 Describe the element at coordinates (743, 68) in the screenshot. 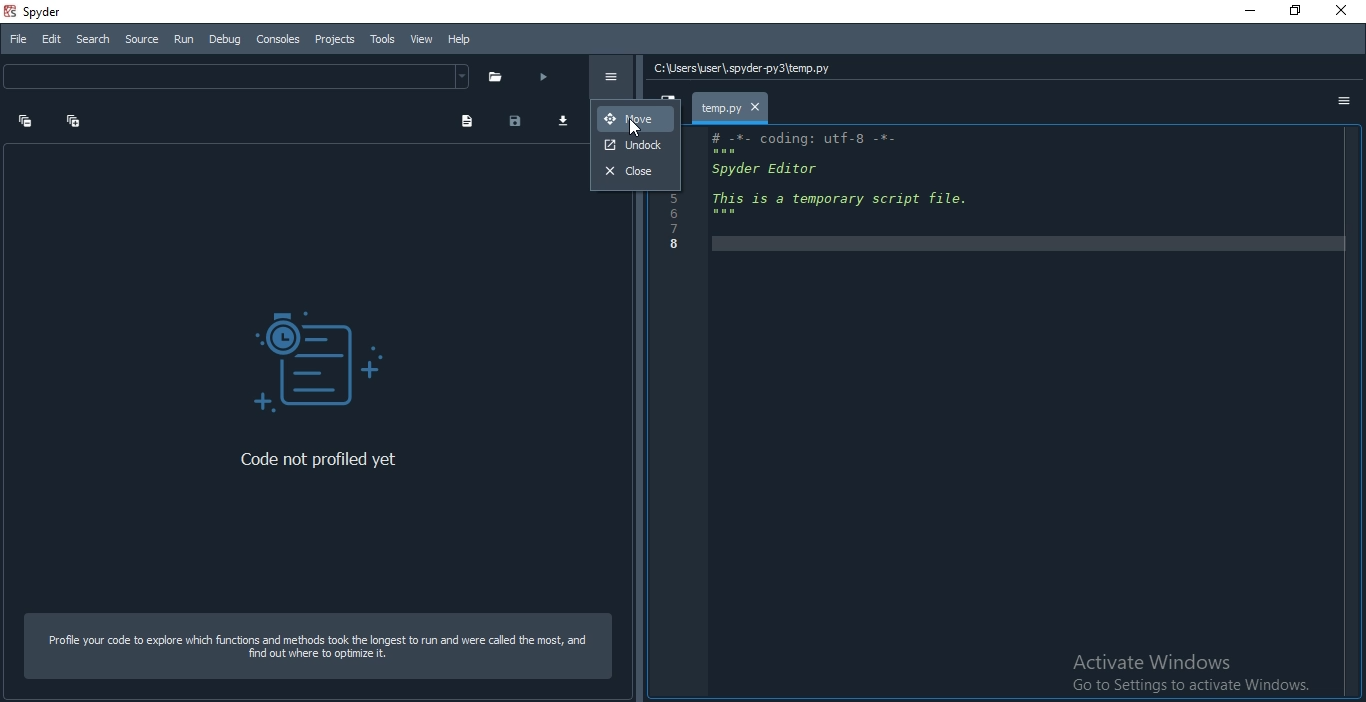

I see `C:\Users\user\.spyder-py3\temp.py` at that location.